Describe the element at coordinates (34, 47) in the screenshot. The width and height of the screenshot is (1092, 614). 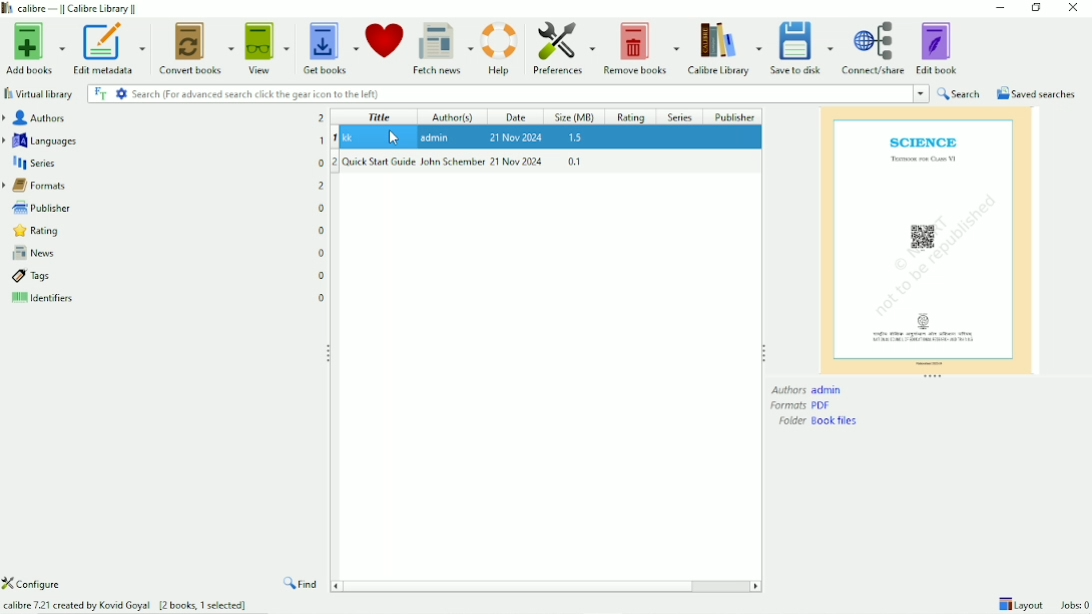
I see `Add books` at that location.